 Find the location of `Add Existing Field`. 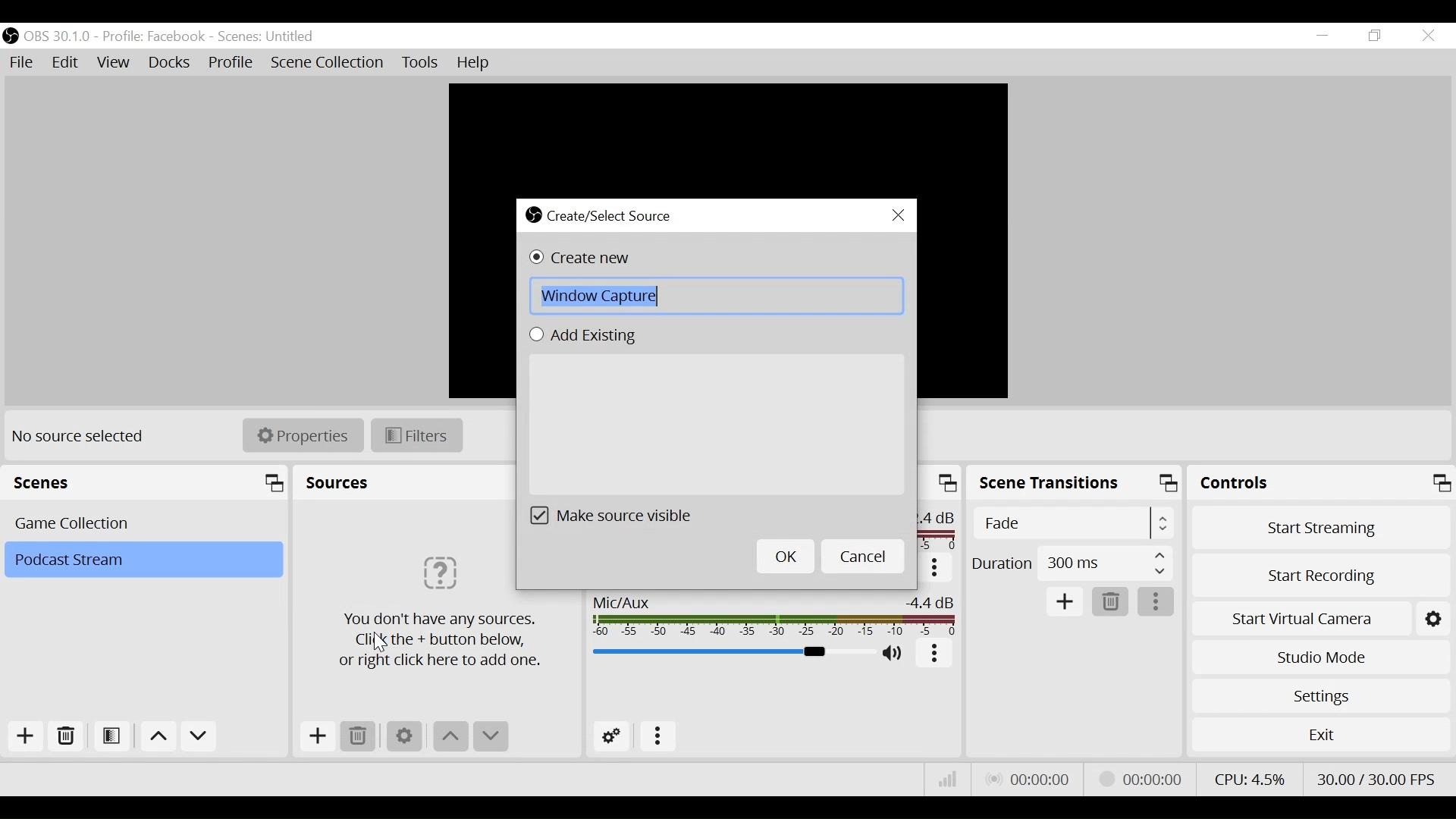

Add Existing Field is located at coordinates (716, 422).